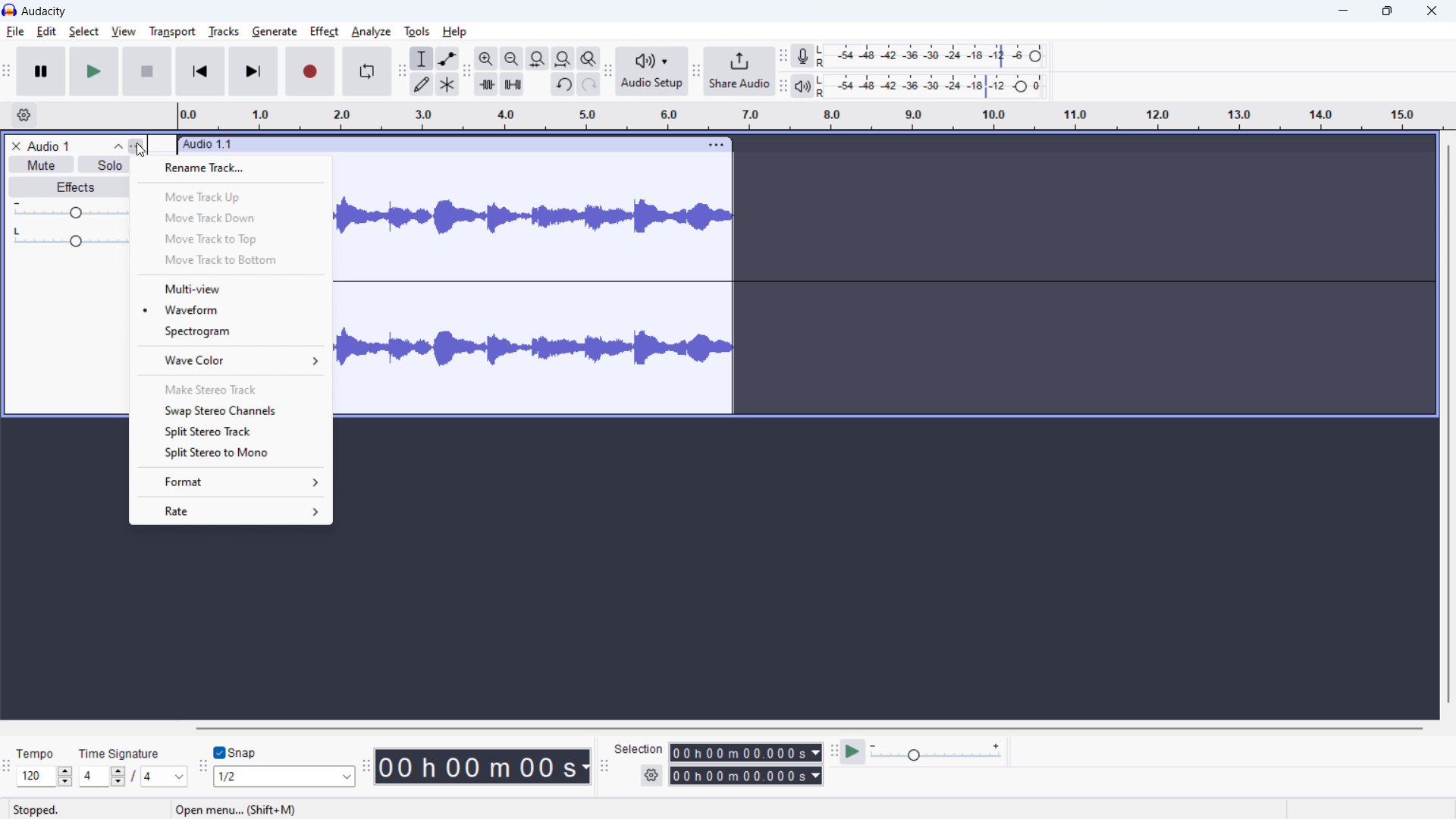 The image size is (1456, 819). I want to click on zoom in, so click(486, 58).